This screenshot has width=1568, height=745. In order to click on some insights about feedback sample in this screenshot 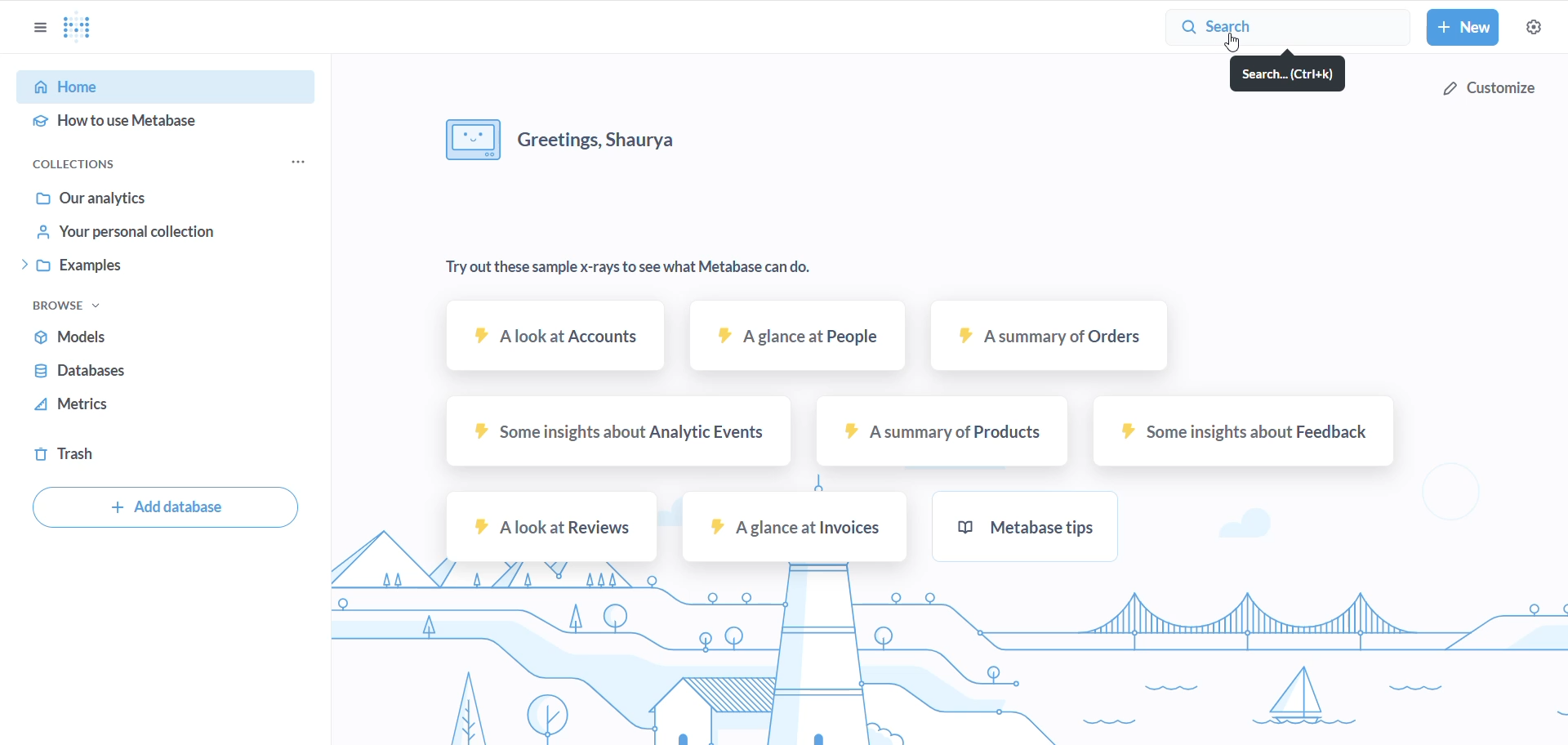, I will do `click(1241, 435)`.